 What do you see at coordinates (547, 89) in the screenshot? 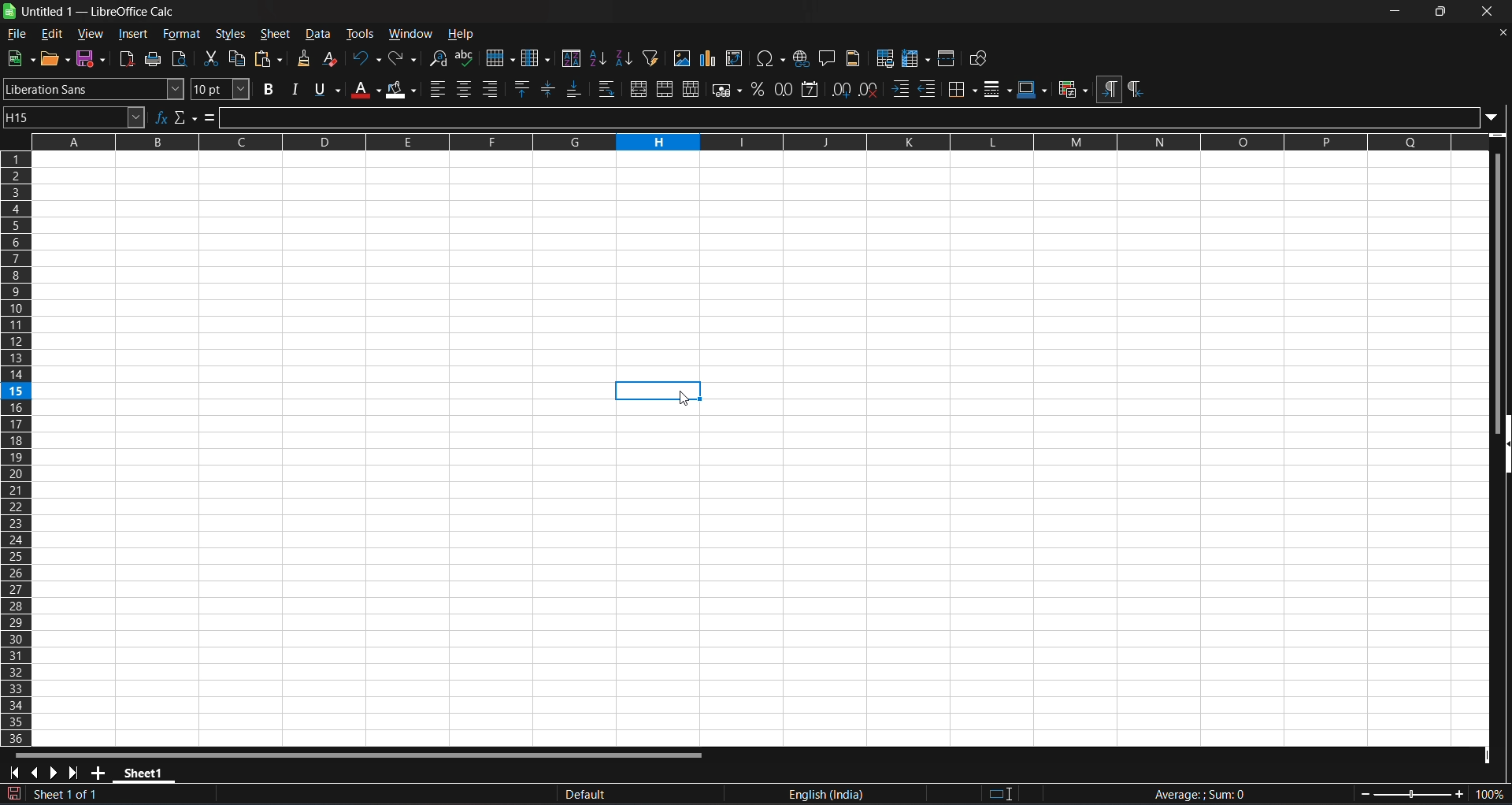
I see `center vertically` at bounding box center [547, 89].